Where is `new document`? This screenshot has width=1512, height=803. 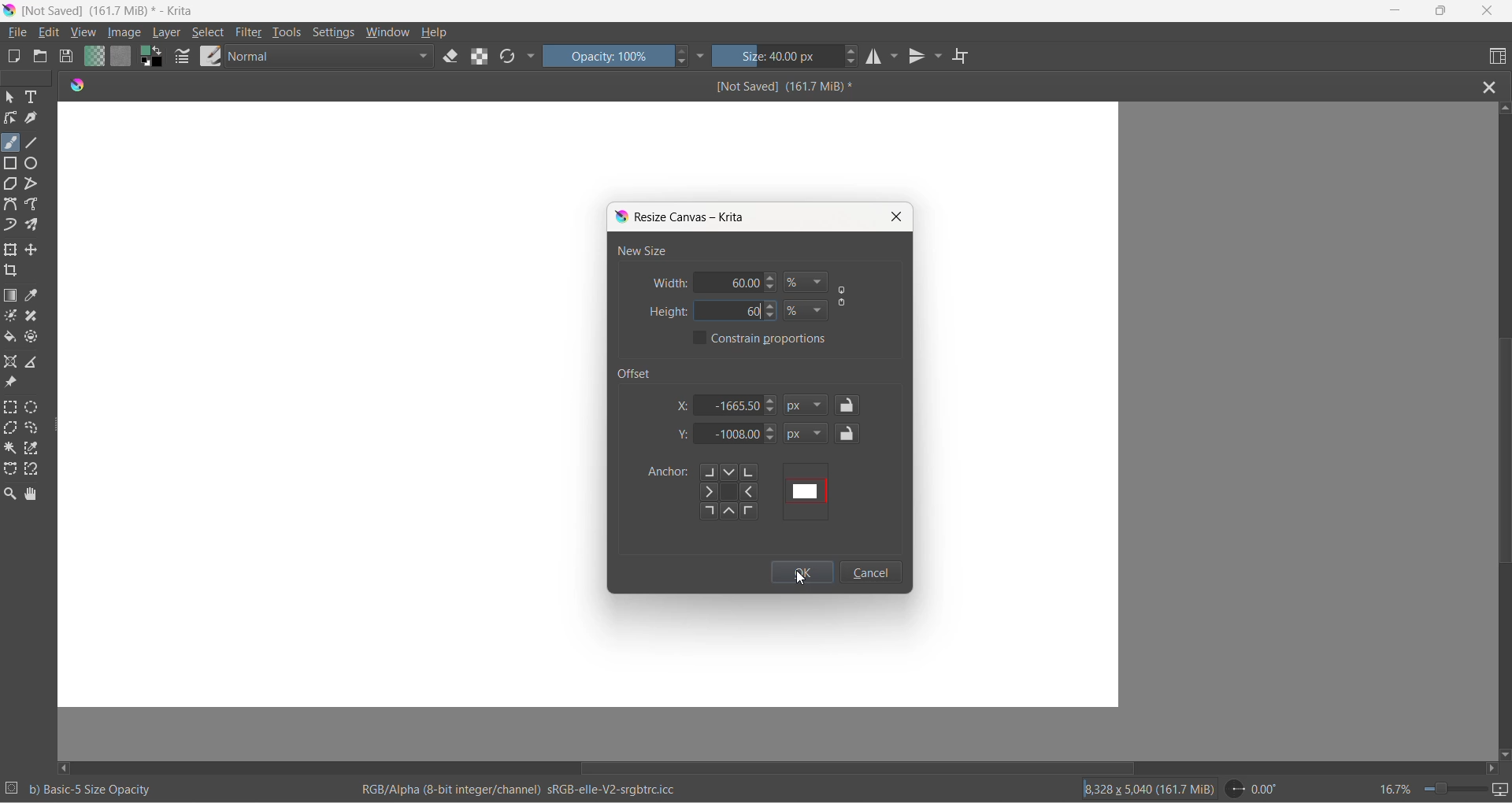
new document is located at coordinates (16, 57).